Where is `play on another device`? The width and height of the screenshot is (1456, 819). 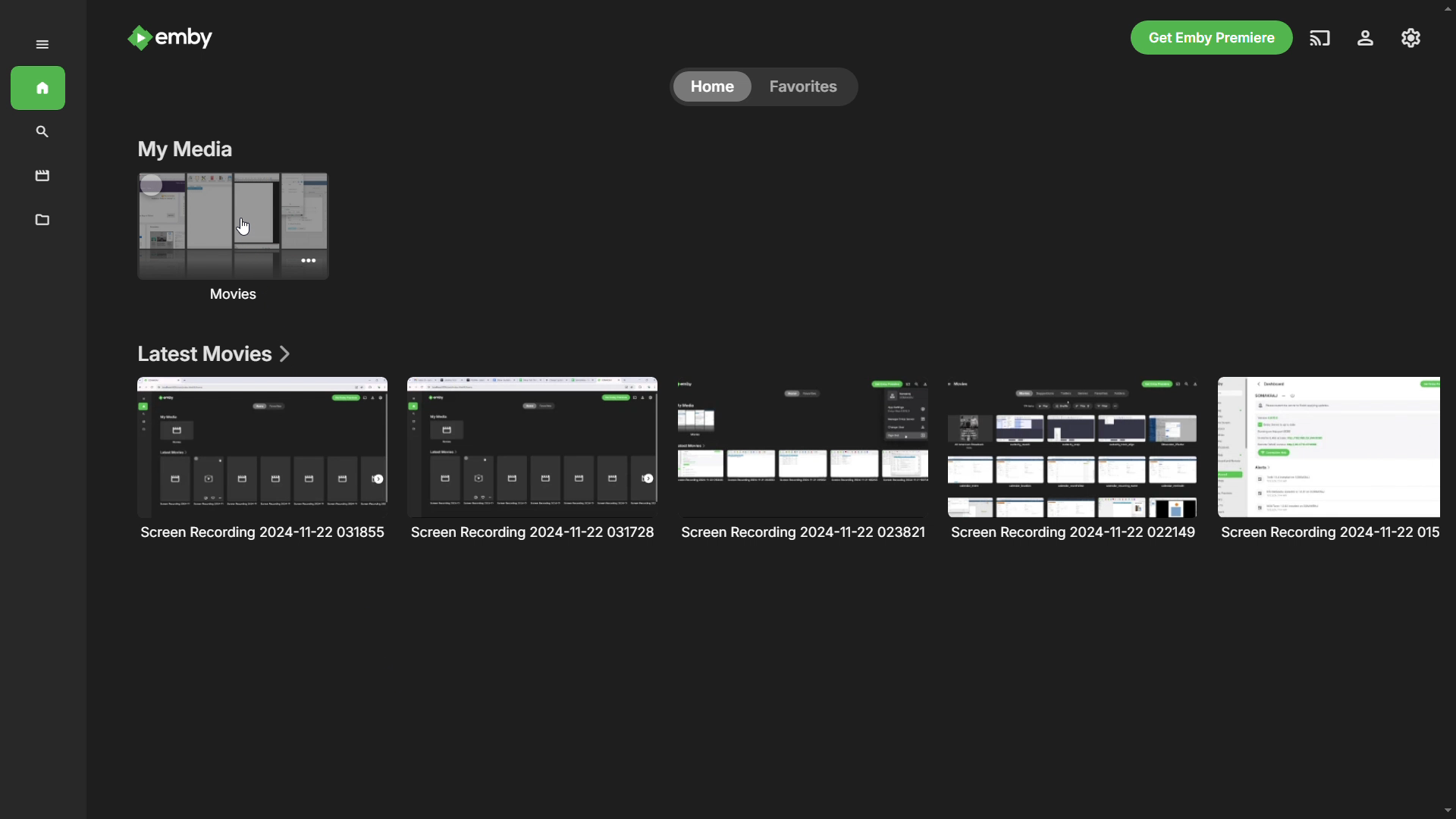
play on another device is located at coordinates (1319, 39).